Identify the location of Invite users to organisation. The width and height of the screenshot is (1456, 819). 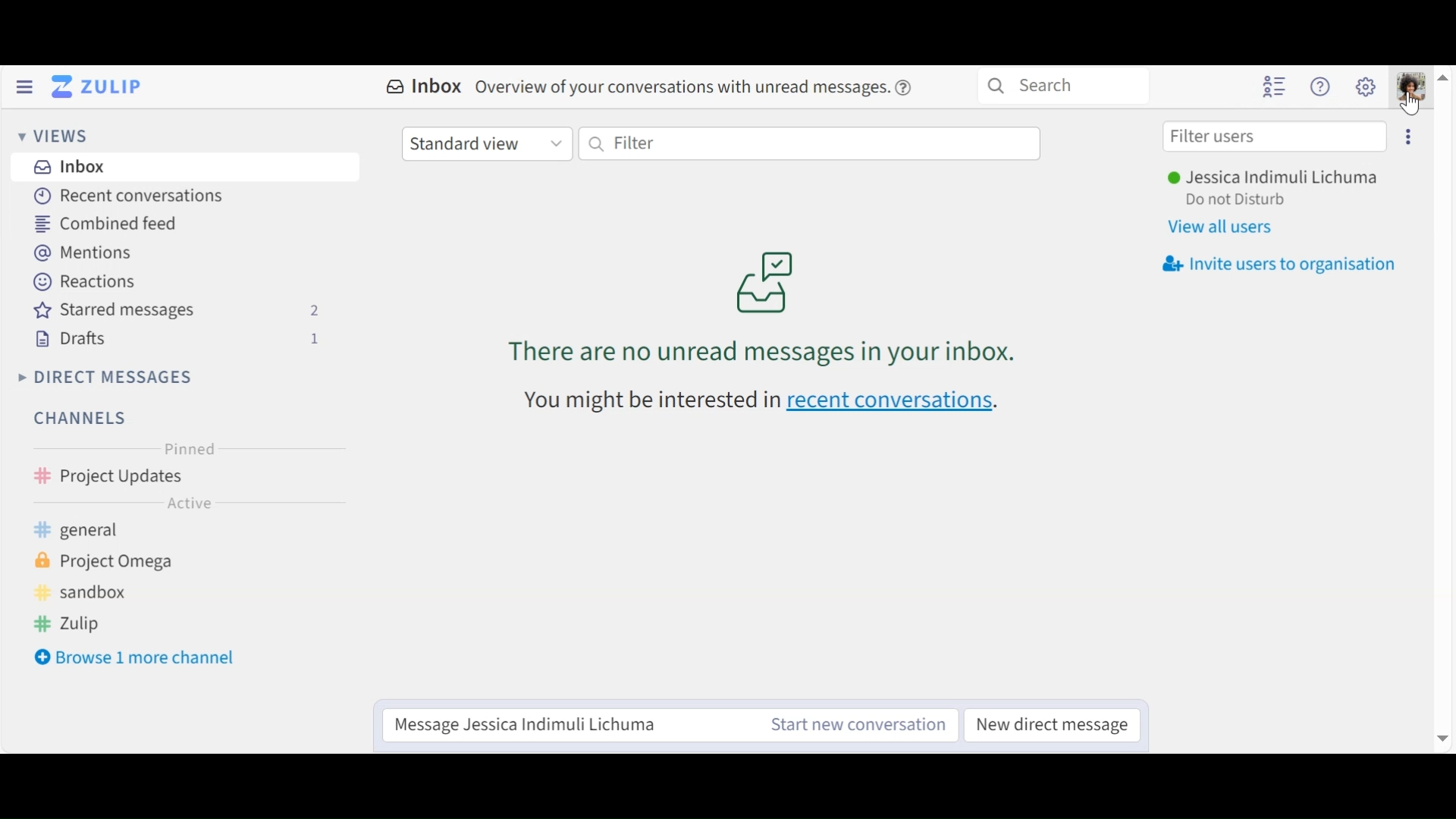
(1280, 265).